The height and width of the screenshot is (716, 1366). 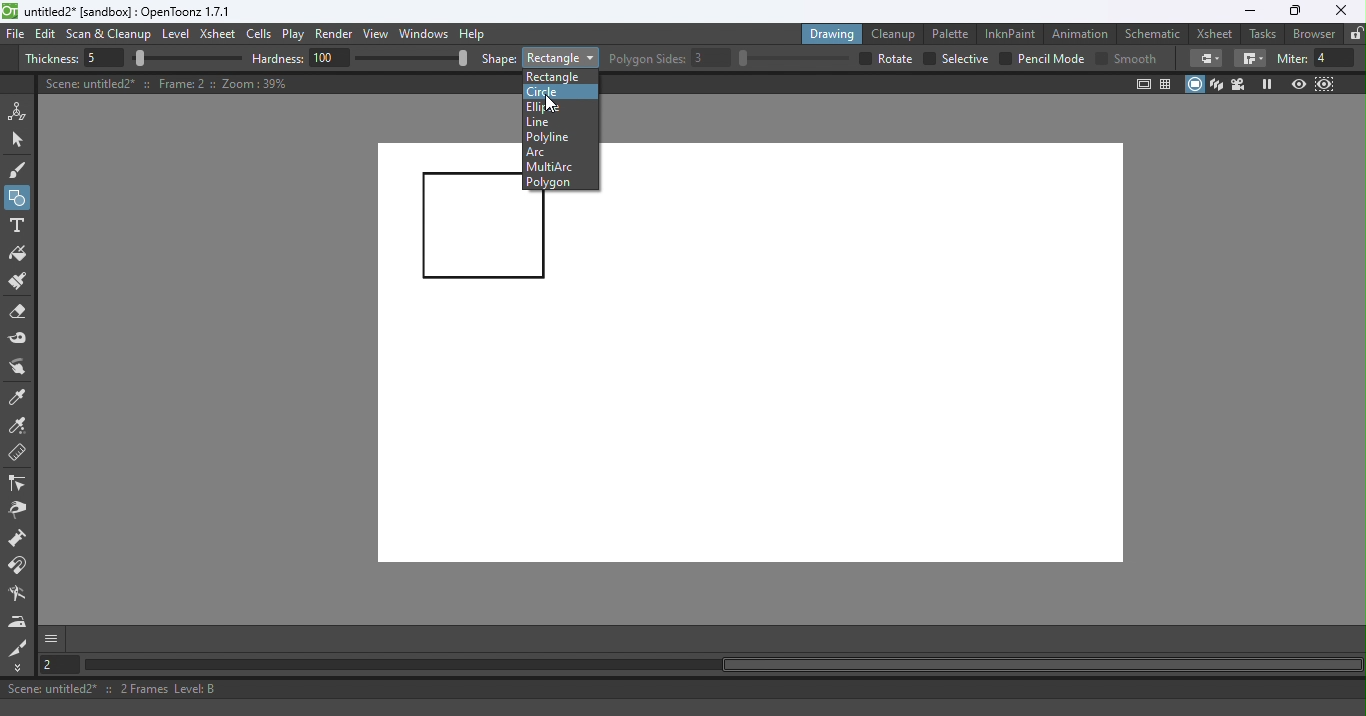 What do you see at coordinates (19, 566) in the screenshot?
I see `Magnet tool` at bounding box center [19, 566].